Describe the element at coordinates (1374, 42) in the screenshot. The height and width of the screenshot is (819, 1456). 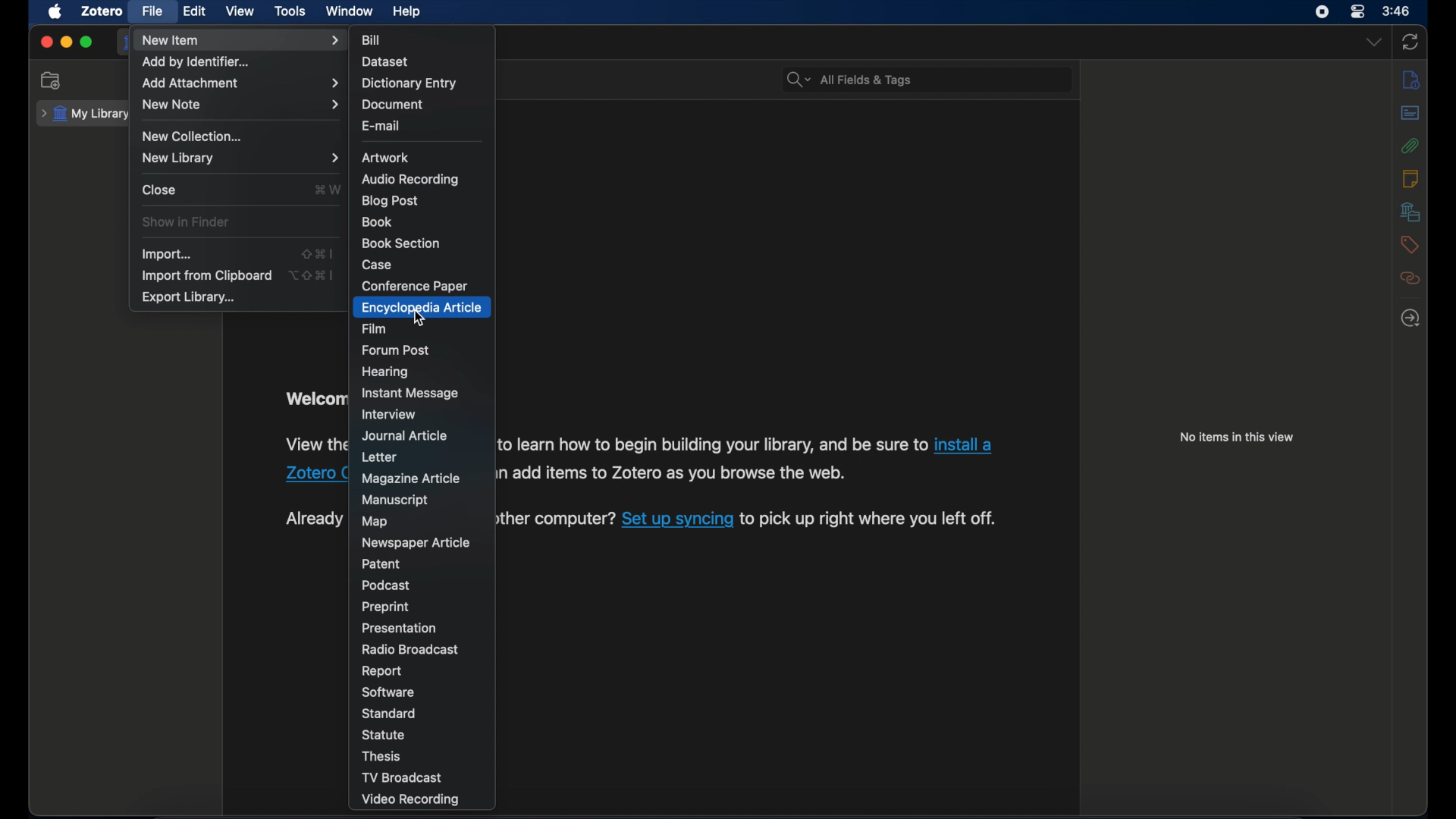
I see `dropdown` at that location.